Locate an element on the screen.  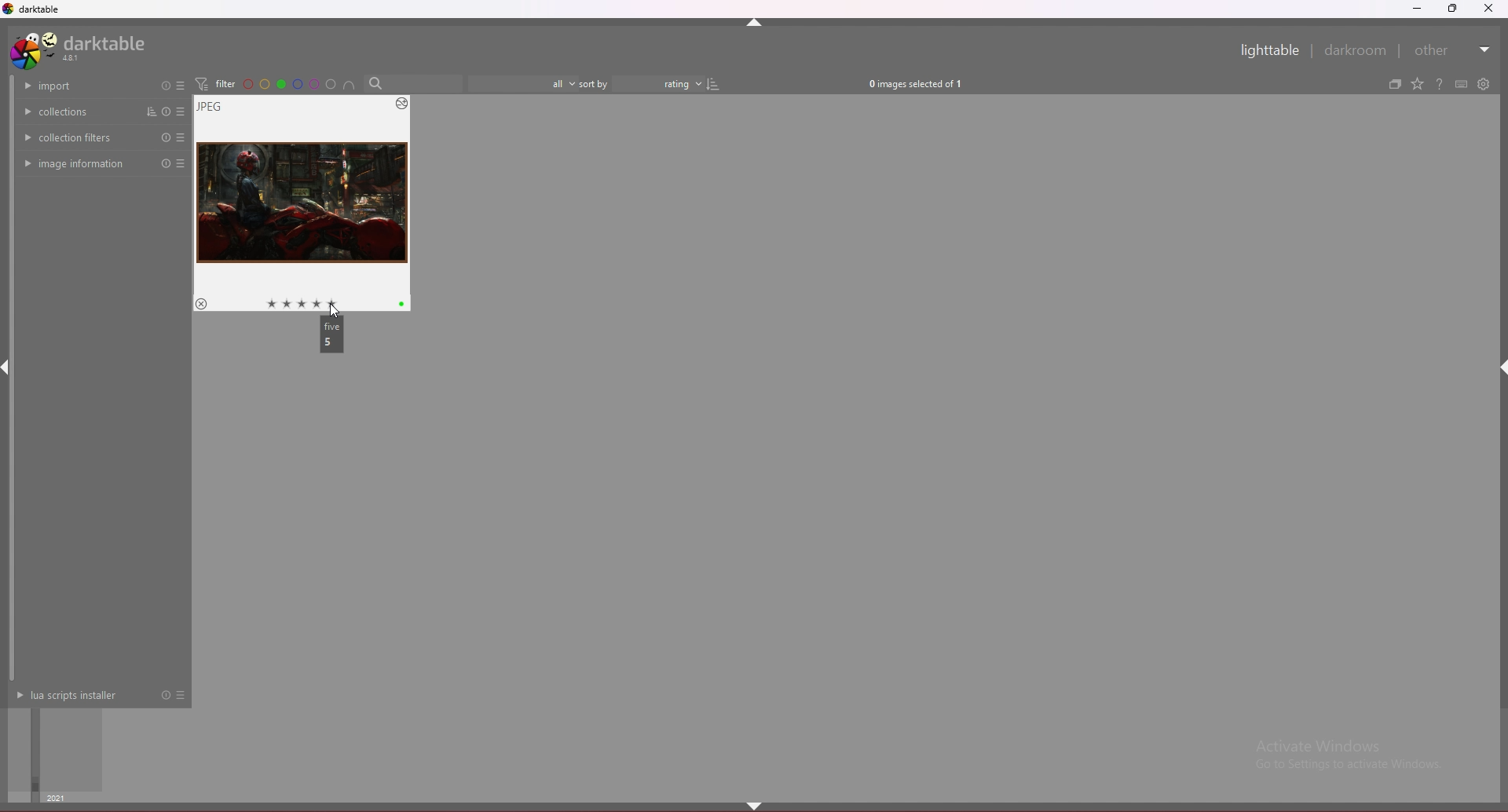
hide is located at coordinates (755, 23).